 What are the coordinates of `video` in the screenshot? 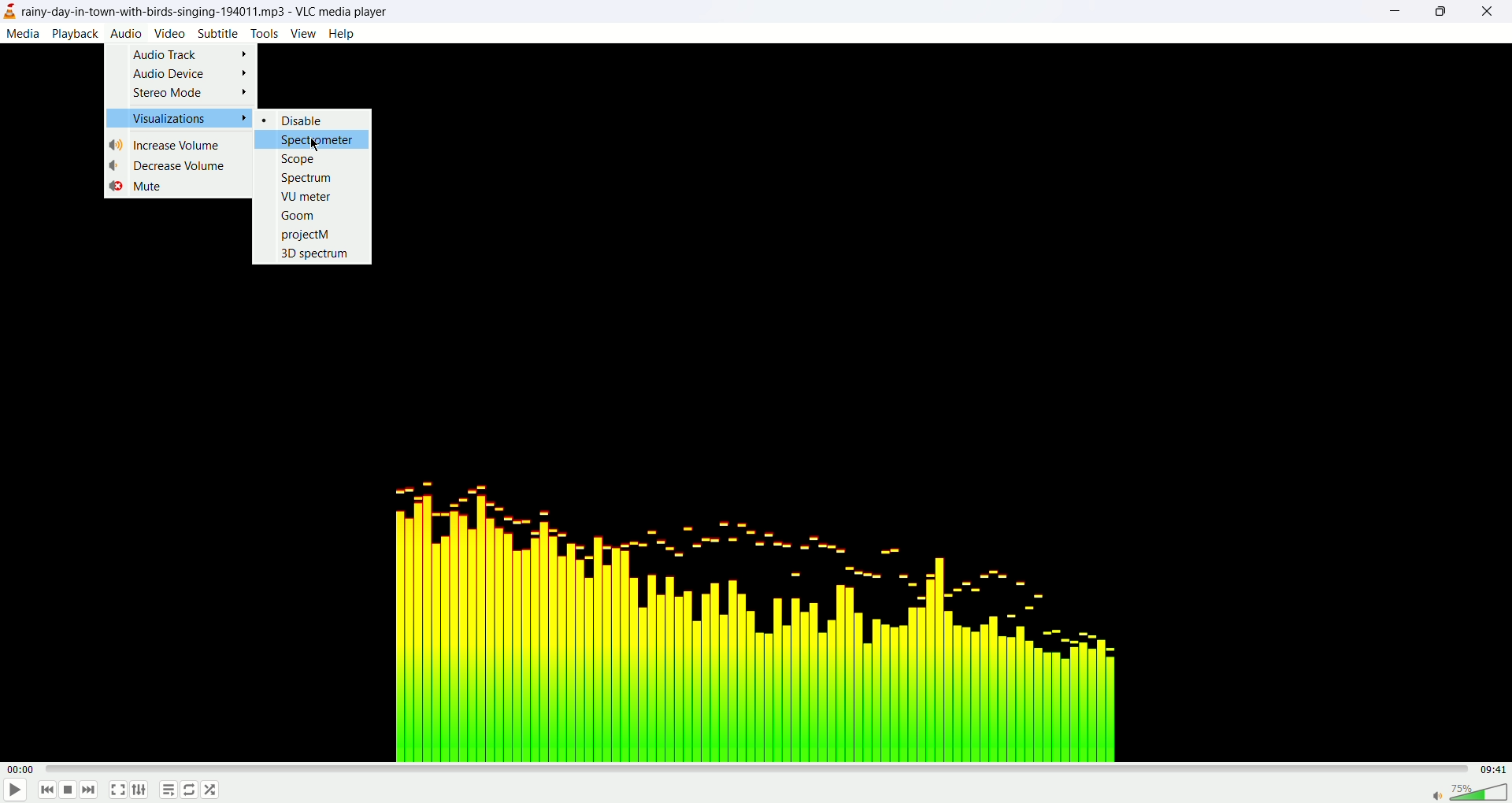 It's located at (170, 32).